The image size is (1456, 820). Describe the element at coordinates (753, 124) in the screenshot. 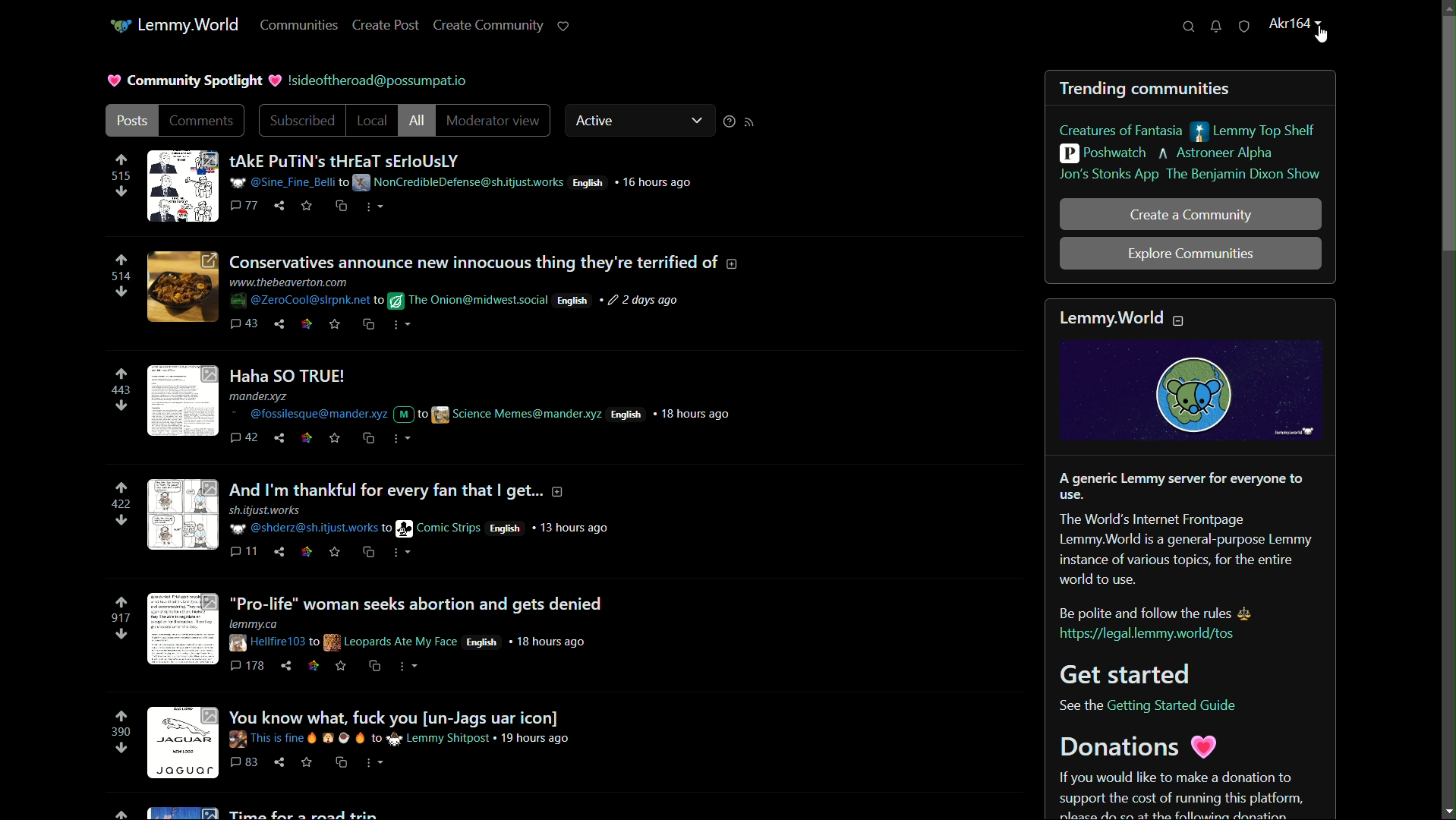

I see `RSS` at that location.